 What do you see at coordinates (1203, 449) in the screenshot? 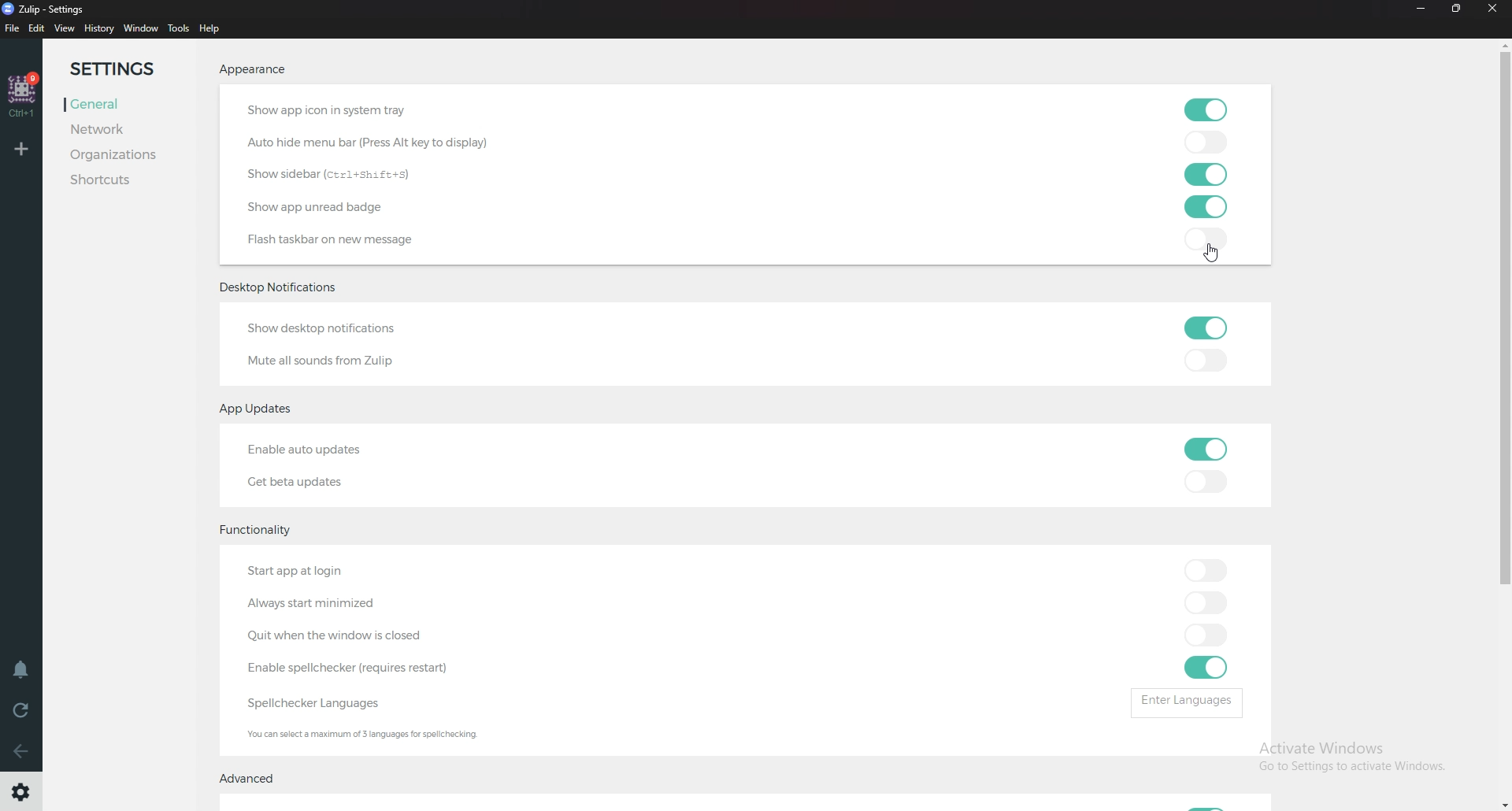
I see `toggle` at bounding box center [1203, 449].